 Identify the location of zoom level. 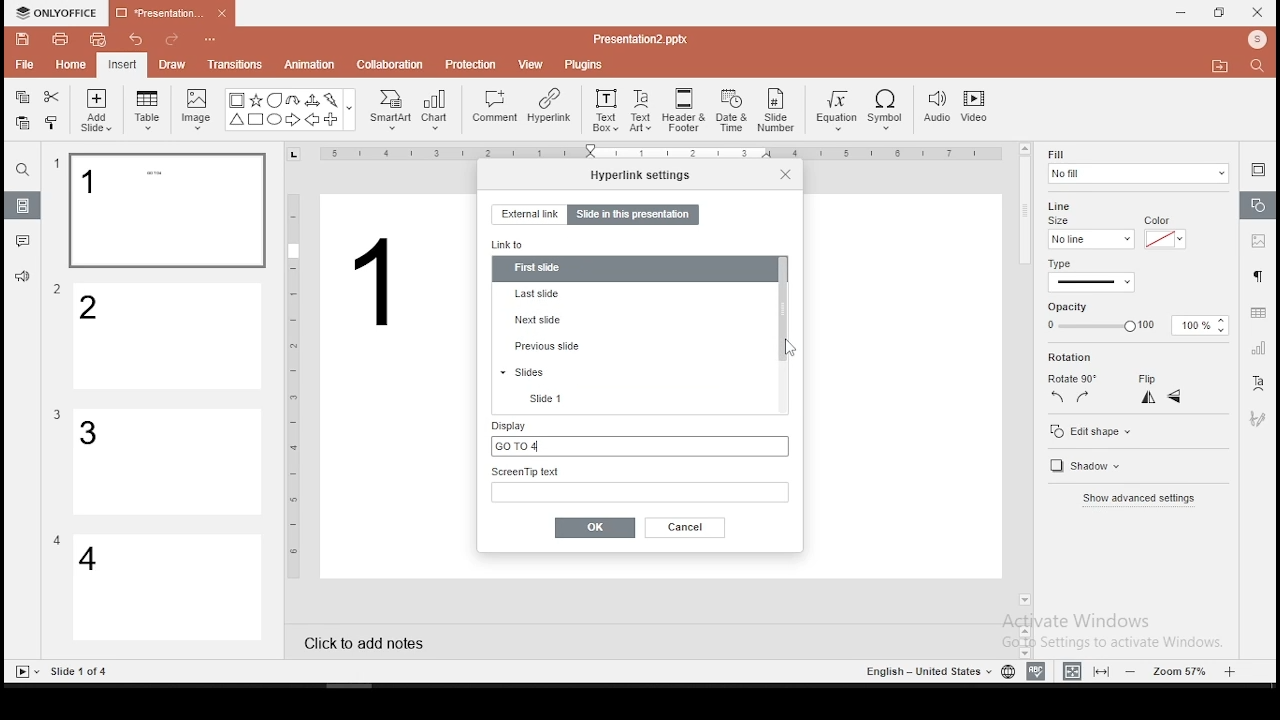
(1183, 670).